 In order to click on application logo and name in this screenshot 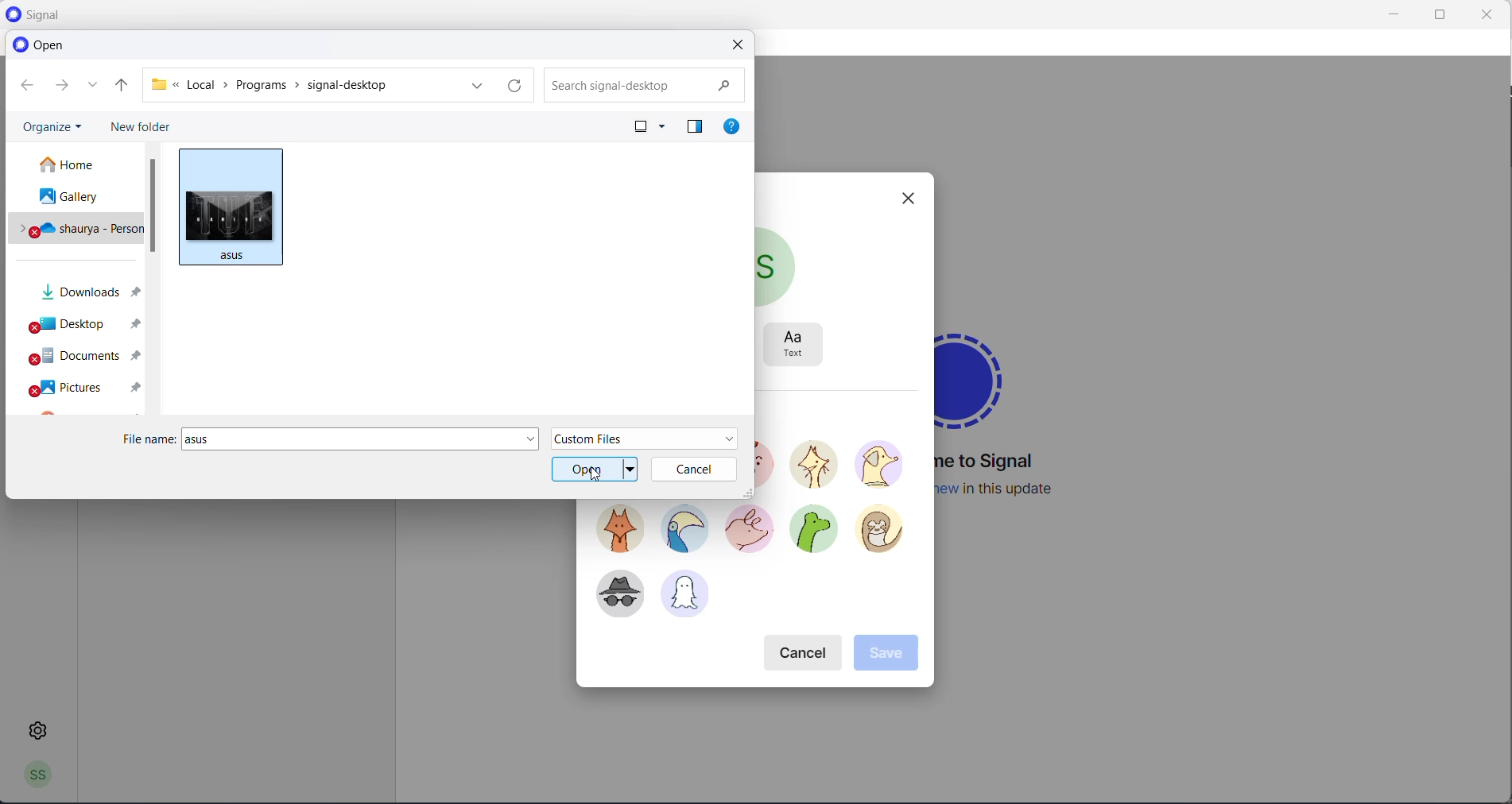, I will do `click(78, 15)`.